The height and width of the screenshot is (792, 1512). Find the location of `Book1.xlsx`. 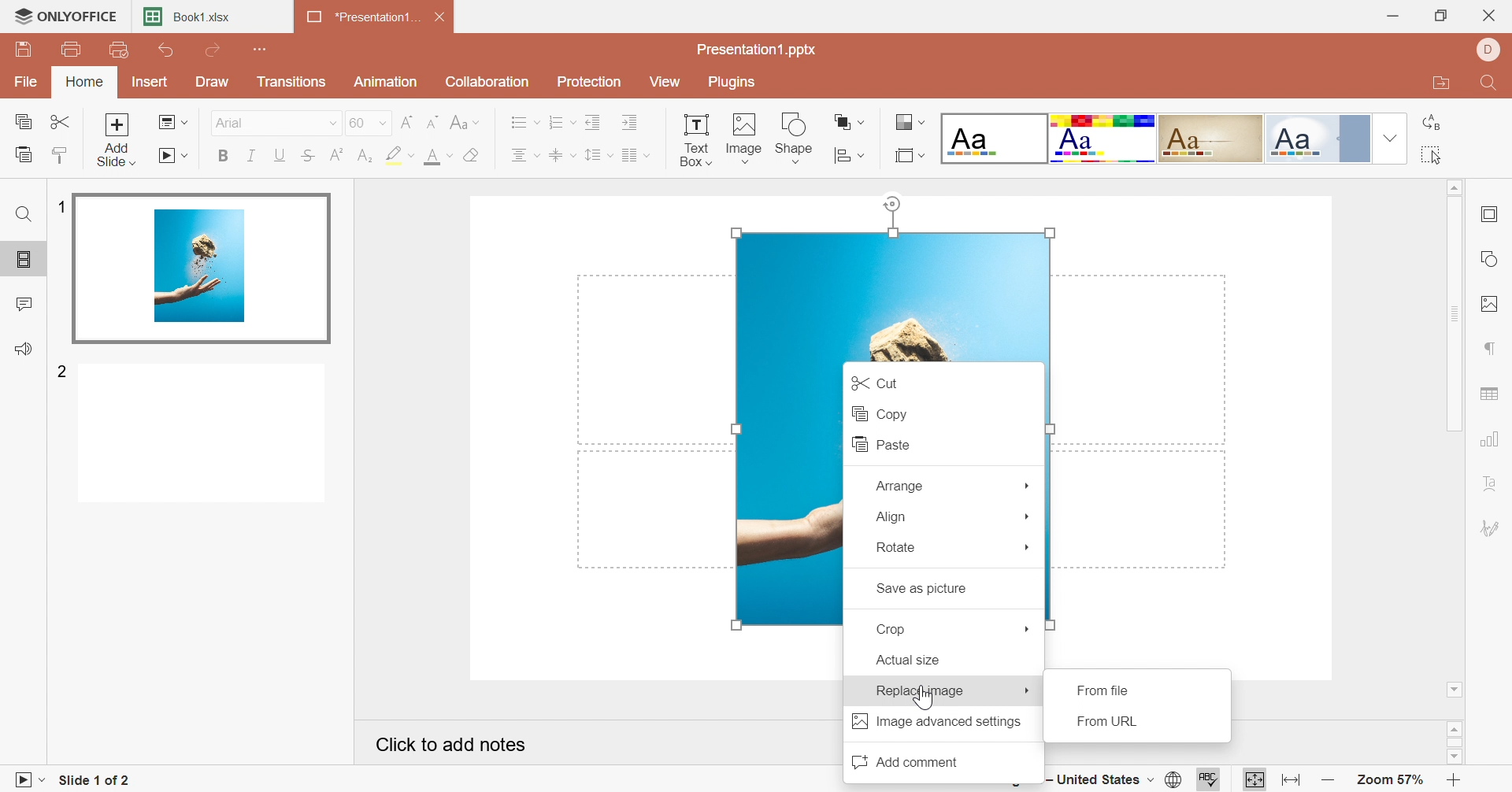

Book1.xlsx is located at coordinates (193, 16).